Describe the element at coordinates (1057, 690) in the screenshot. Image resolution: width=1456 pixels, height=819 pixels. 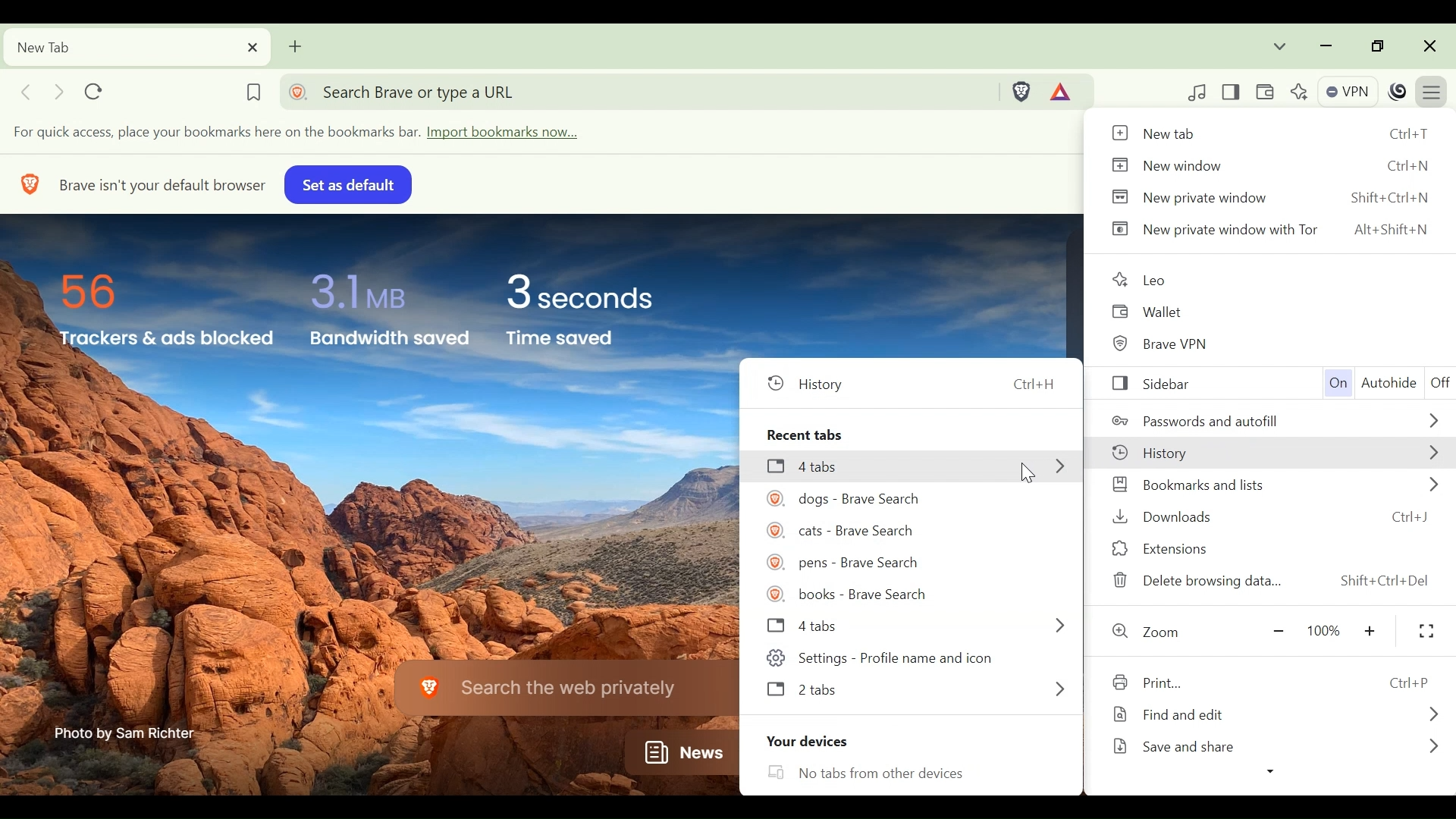
I see `MORE` at that location.